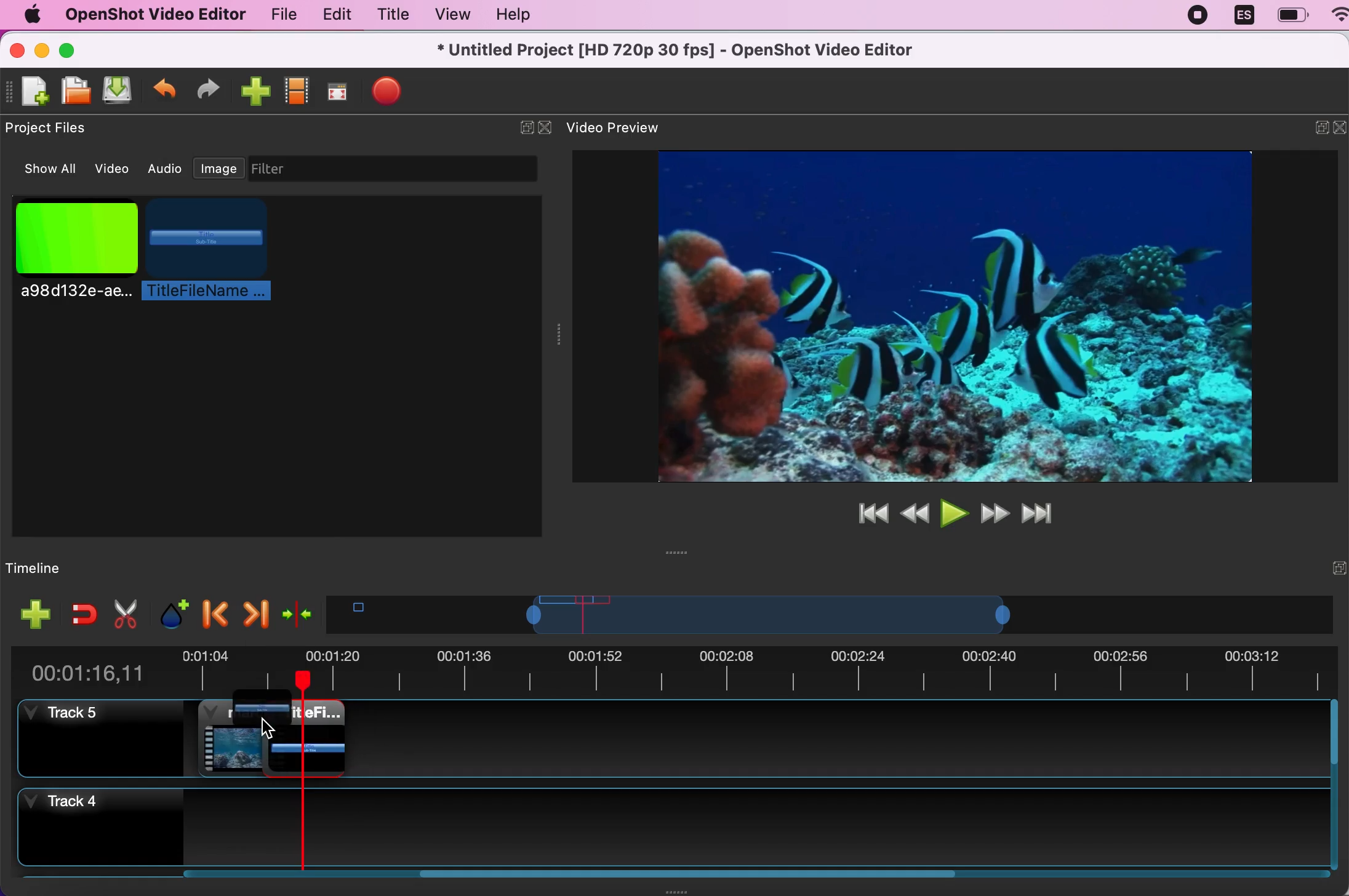 The image size is (1349, 896). What do you see at coordinates (677, 51) in the screenshot?
I see `title - Untitled Project [HD 720p 30 fps)-OpenShot Video Editor` at bounding box center [677, 51].